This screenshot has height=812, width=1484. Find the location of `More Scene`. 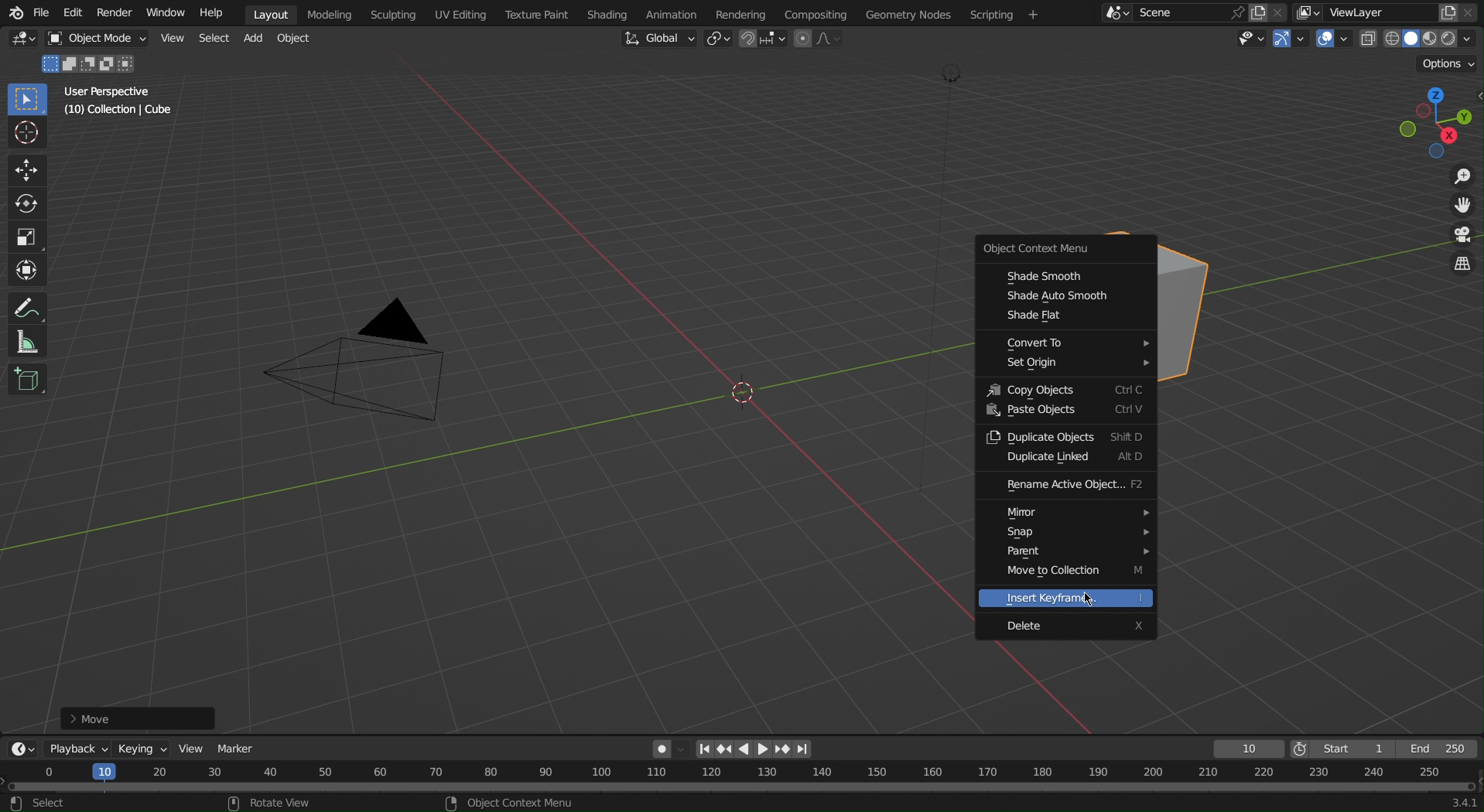

More Scene is located at coordinates (1115, 12).